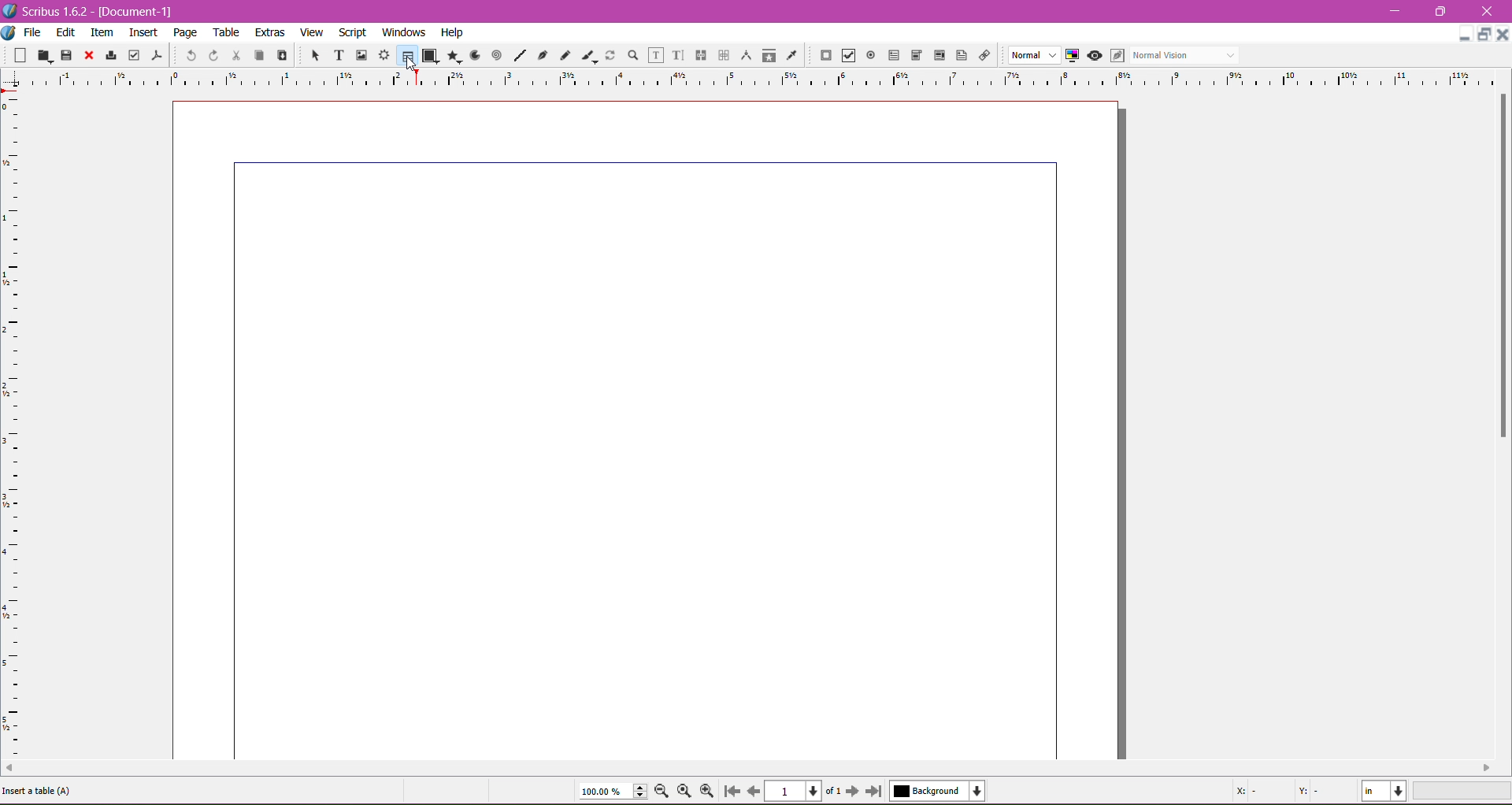 The image size is (1512, 805). What do you see at coordinates (753, 790) in the screenshot?
I see `Previous page` at bounding box center [753, 790].